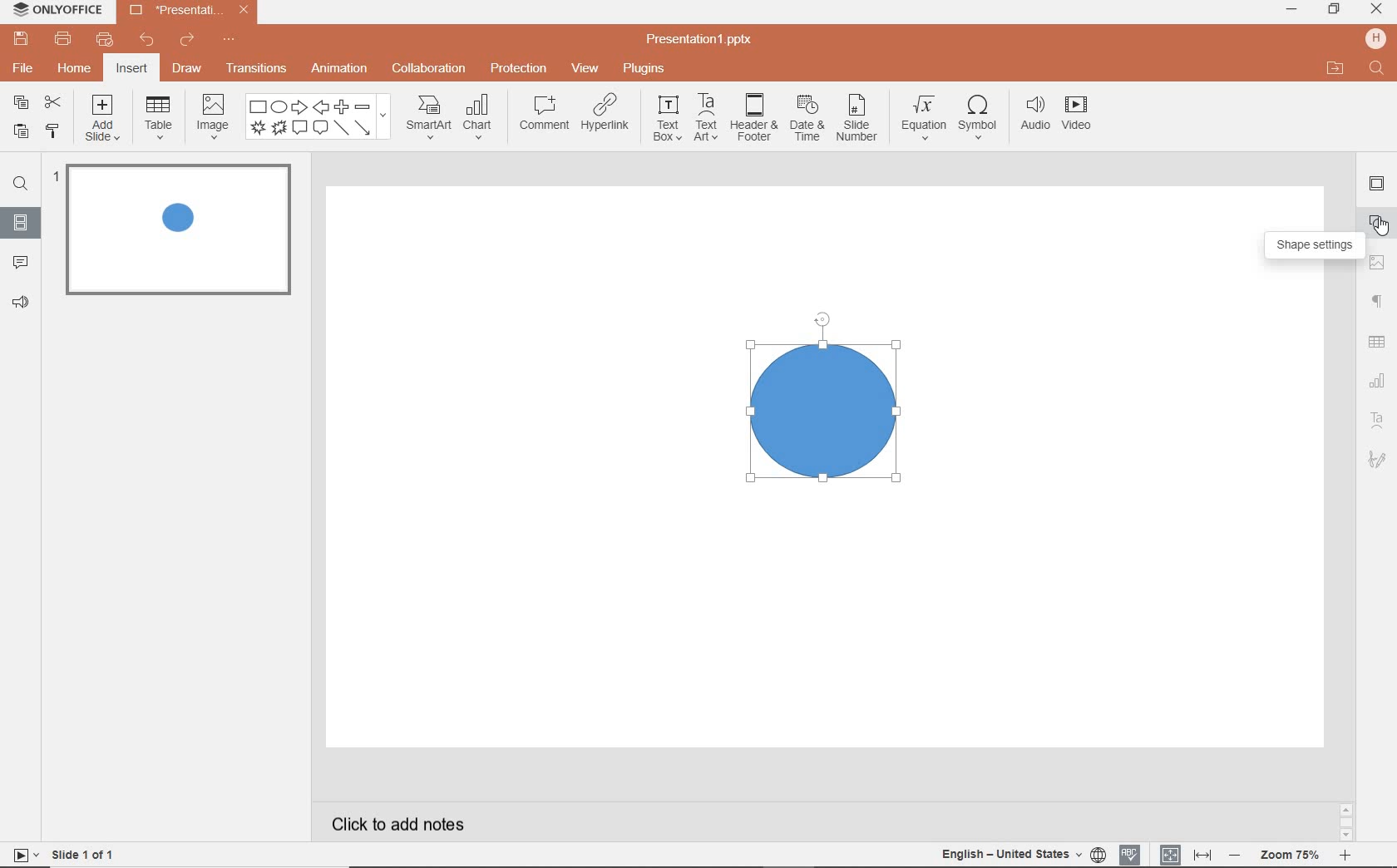  I want to click on table settings, so click(1379, 341).